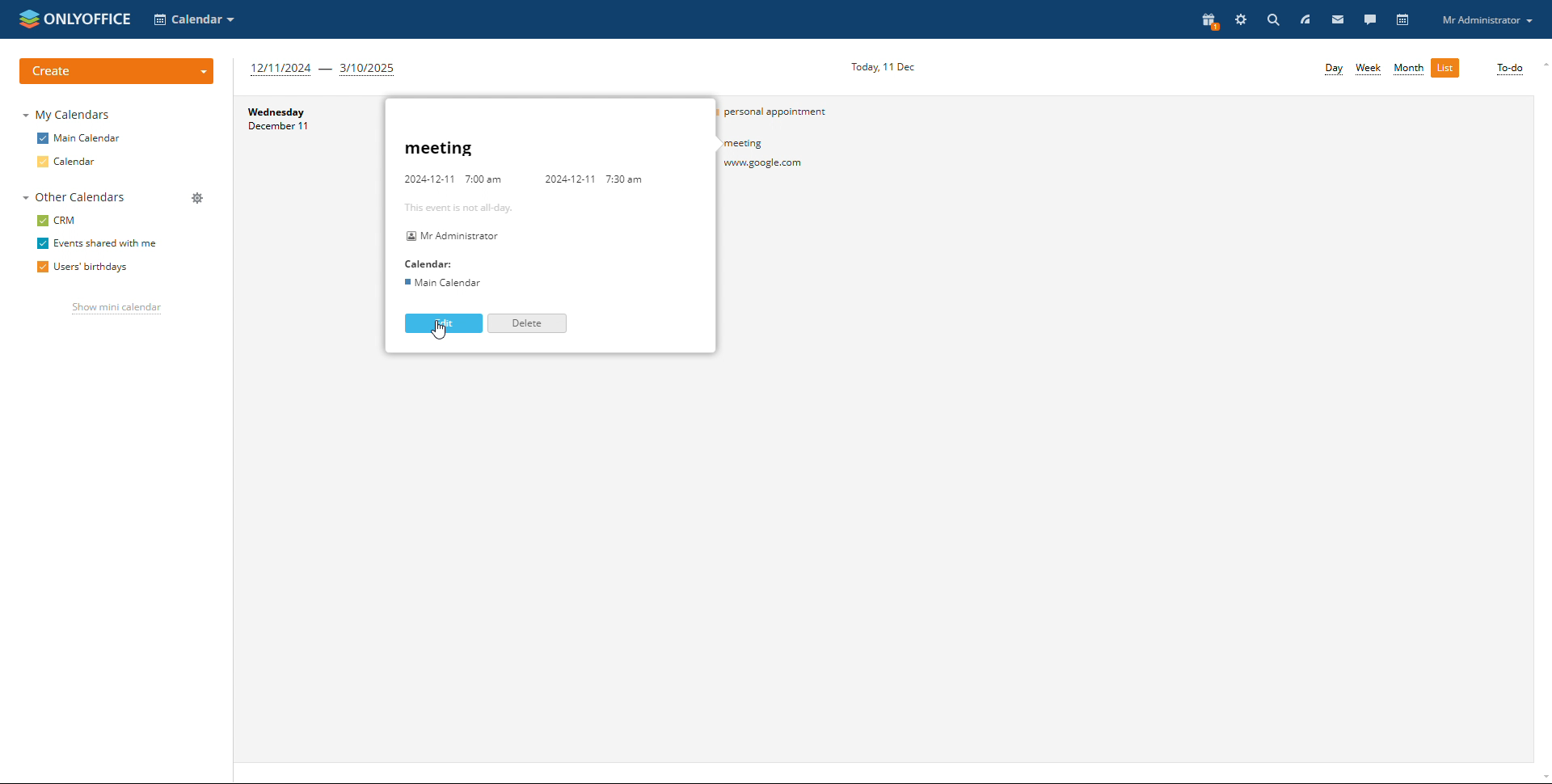 Image resolution: width=1552 pixels, height=784 pixels. I want to click on my calendars, so click(68, 115).